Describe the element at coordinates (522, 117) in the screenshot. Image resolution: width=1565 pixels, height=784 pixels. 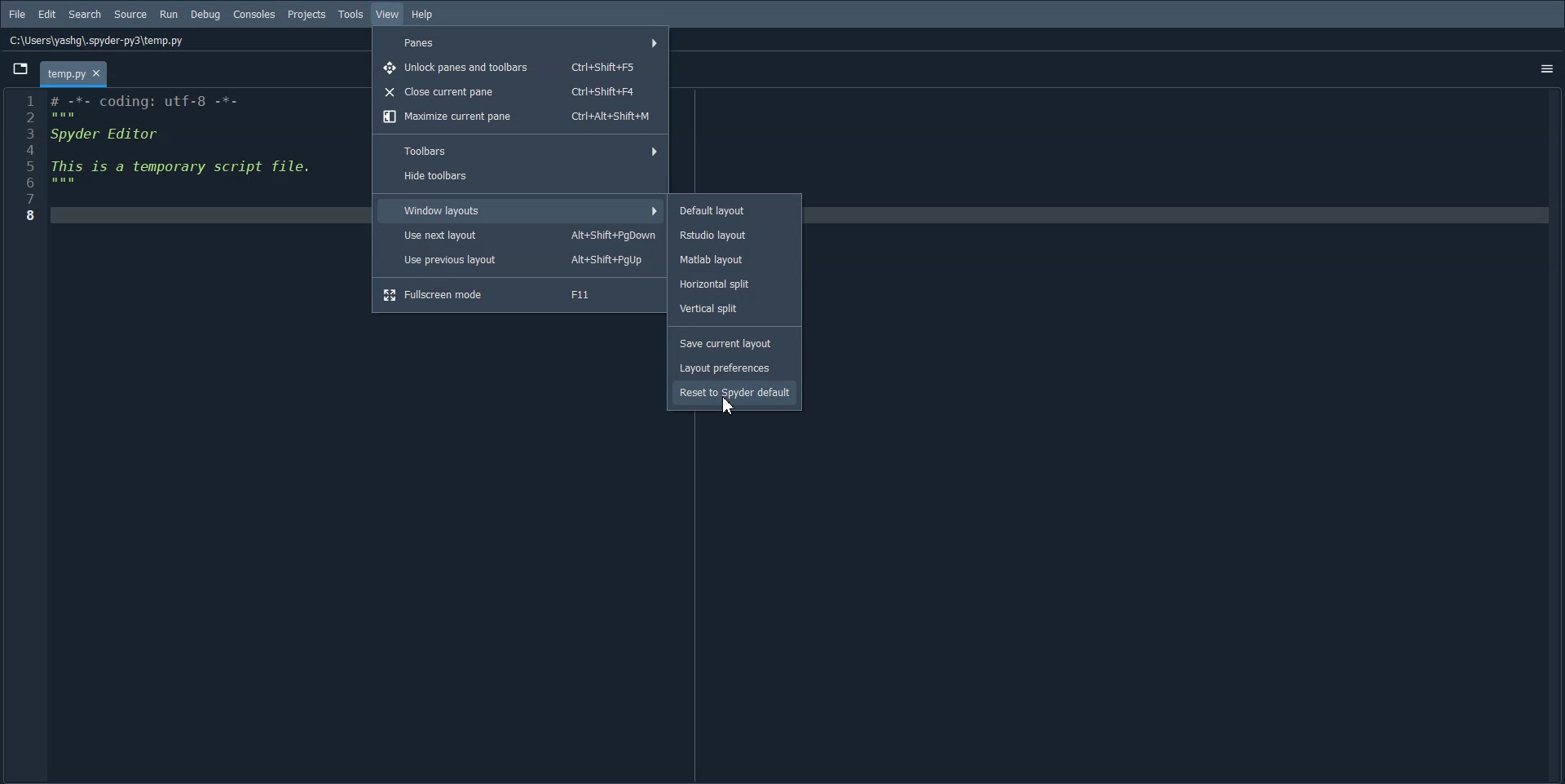
I see `Maximize current pane` at that location.